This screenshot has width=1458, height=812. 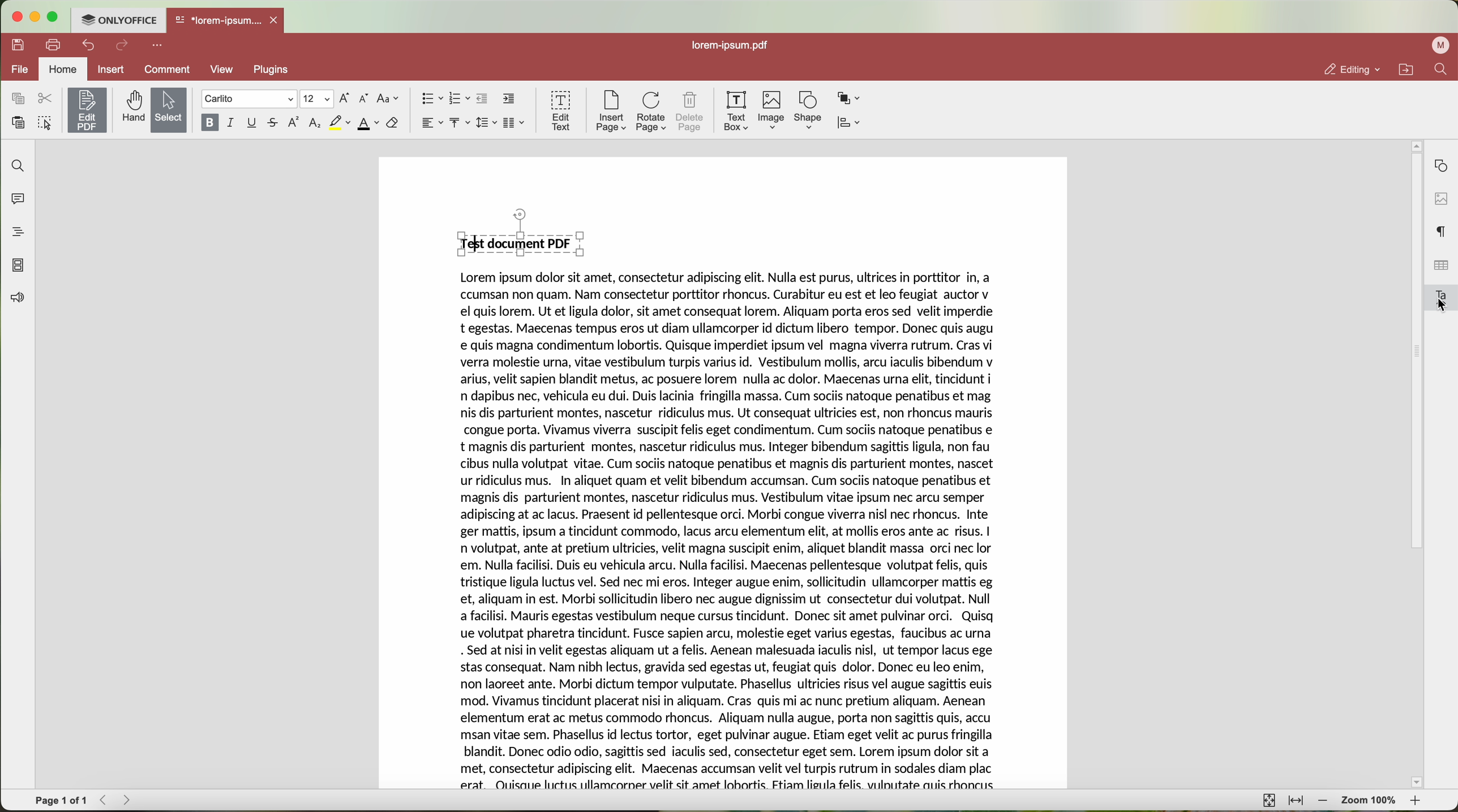 I want to click on view, so click(x=221, y=71).